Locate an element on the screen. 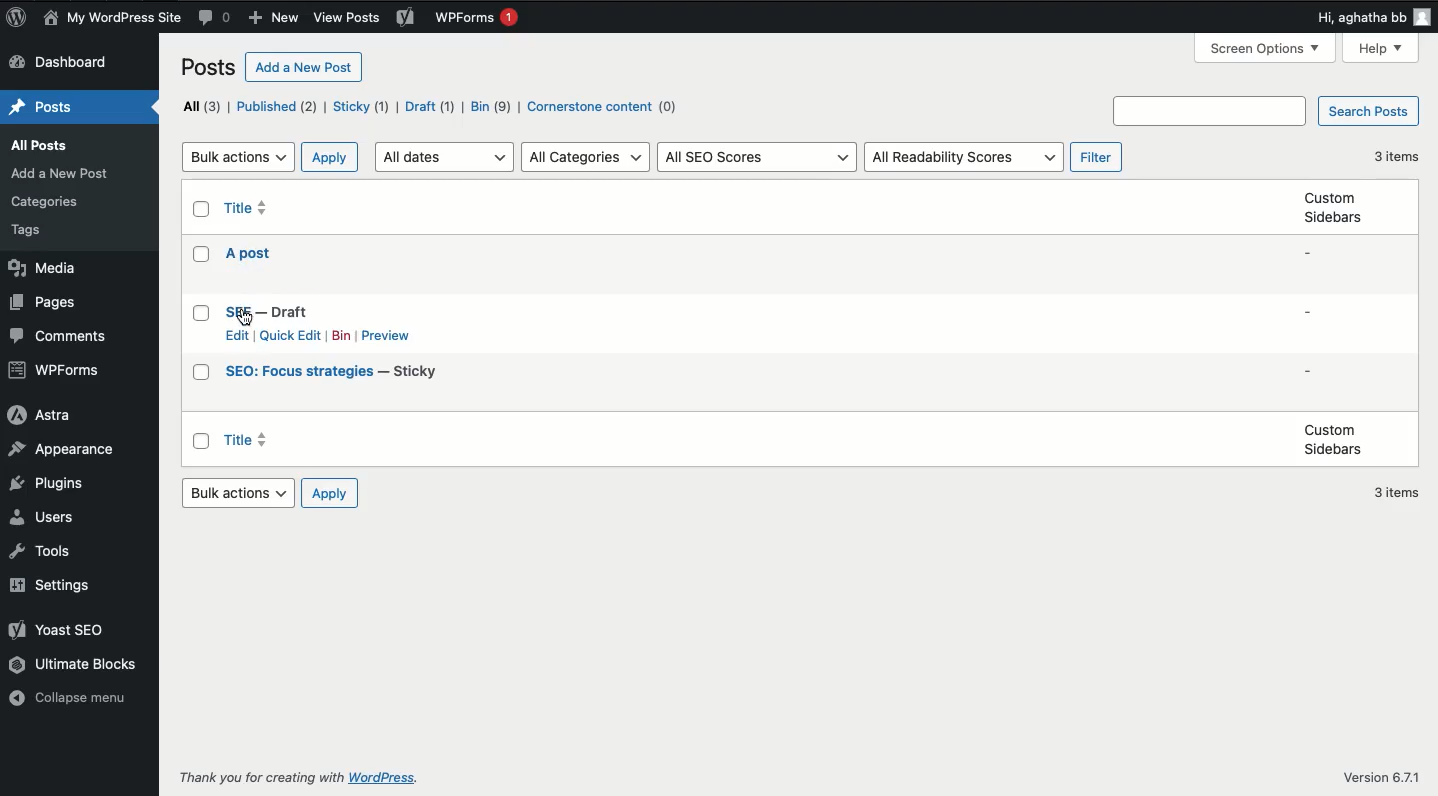  Categories is located at coordinates (49, 200).